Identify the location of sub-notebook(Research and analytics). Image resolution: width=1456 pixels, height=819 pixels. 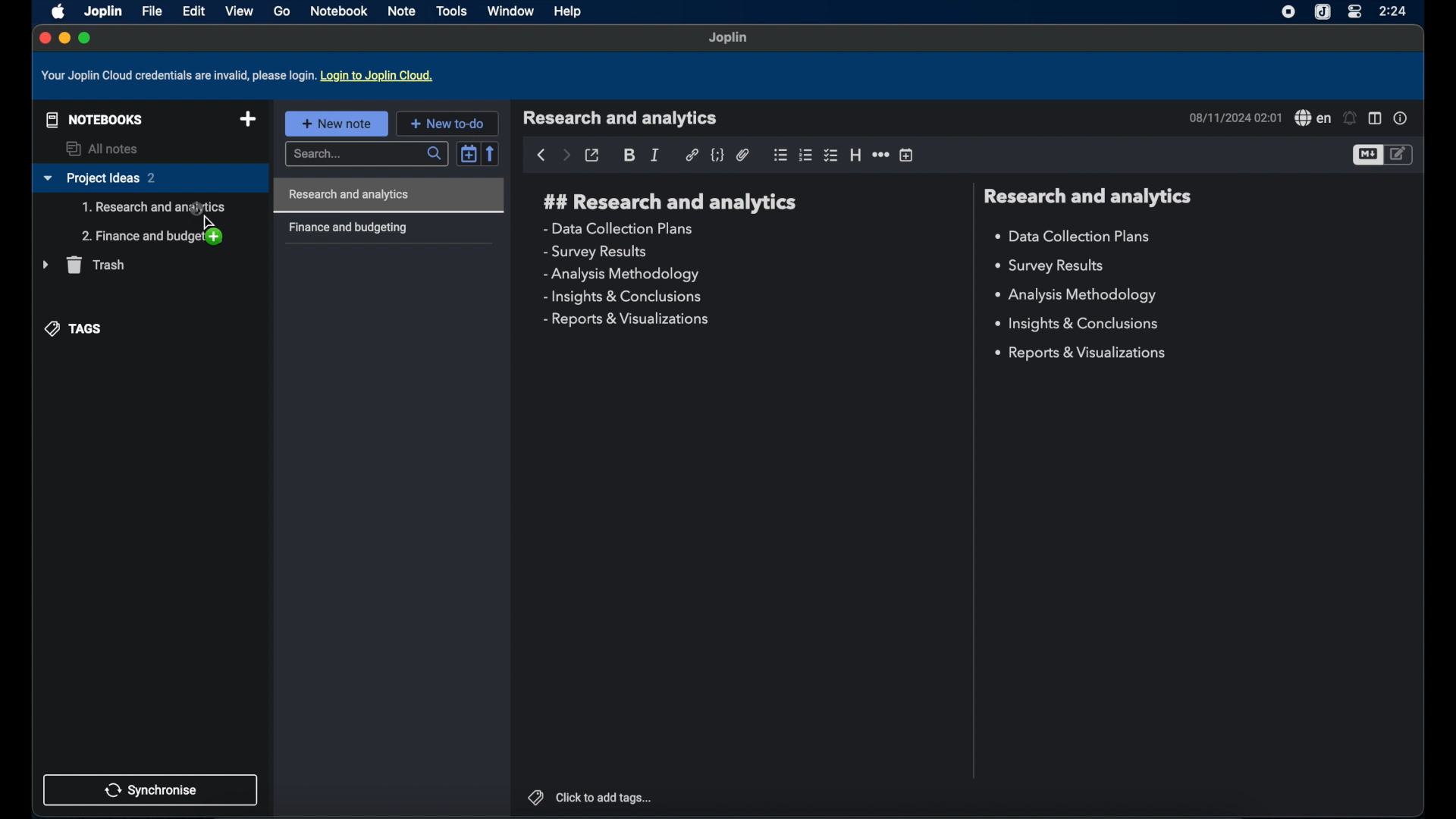
(154, 208).